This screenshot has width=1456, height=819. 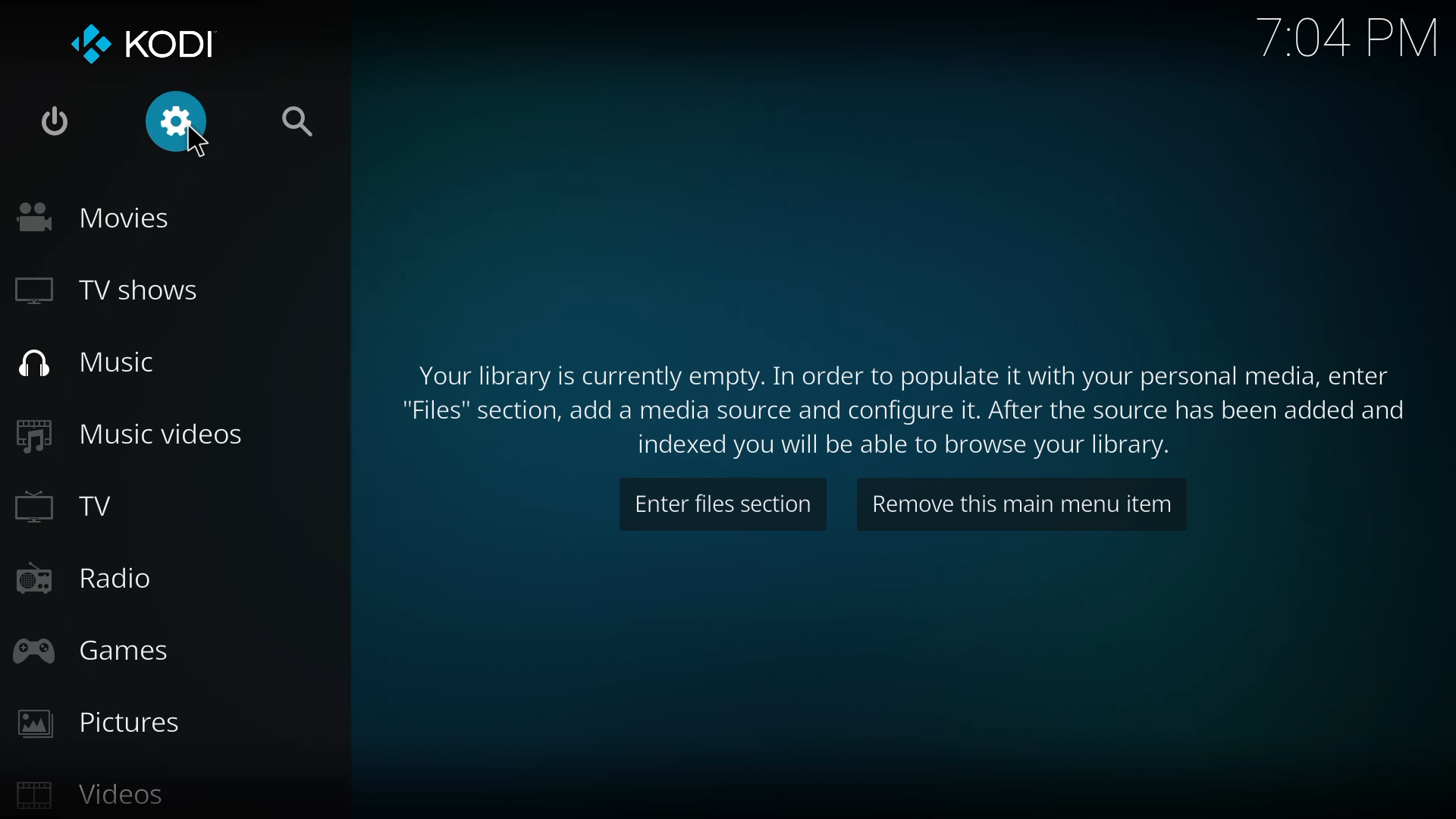 I want to click on videos, so click(x=98, y=797).